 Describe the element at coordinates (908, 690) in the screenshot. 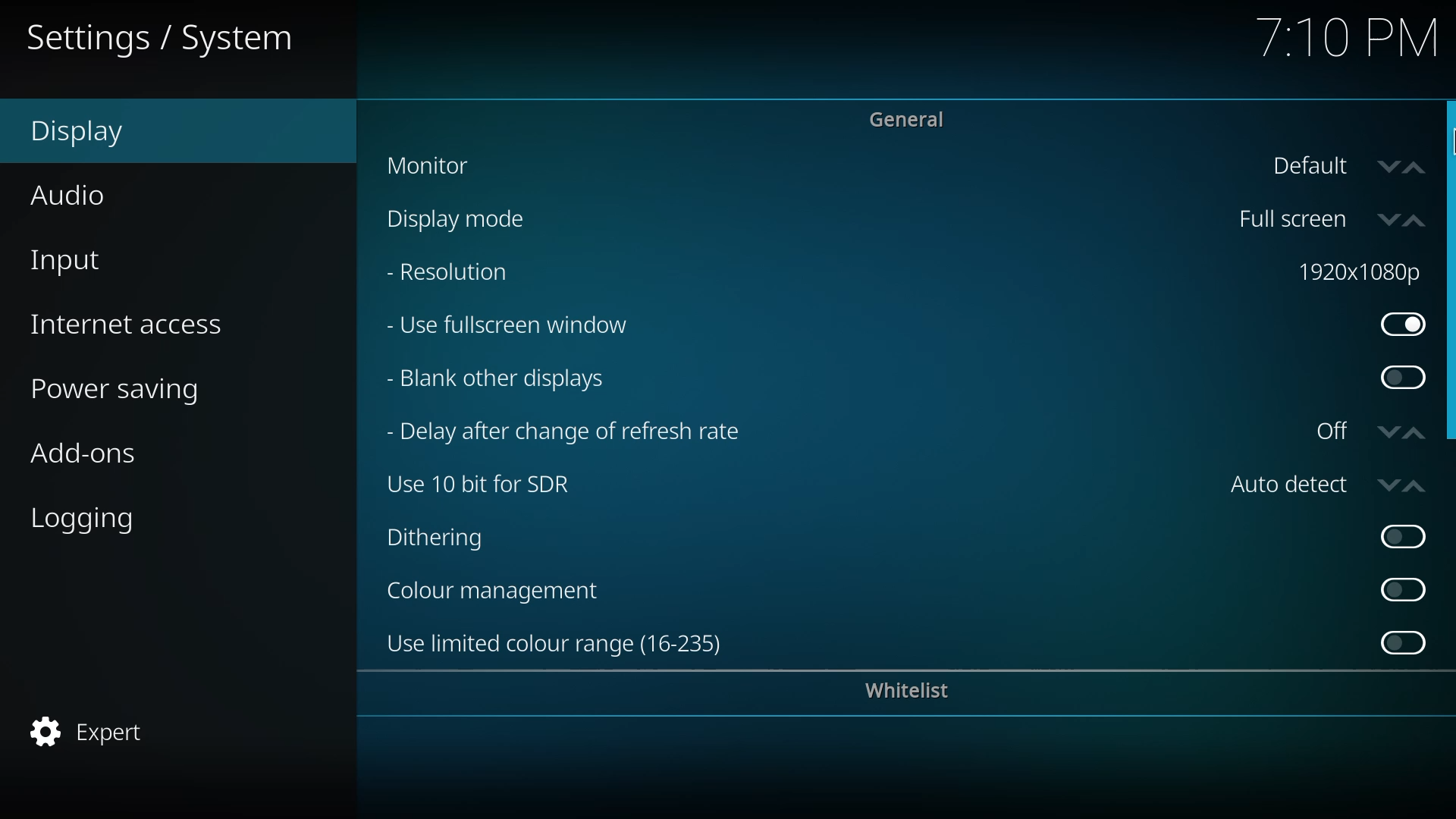

I see `whitelist` at that location.